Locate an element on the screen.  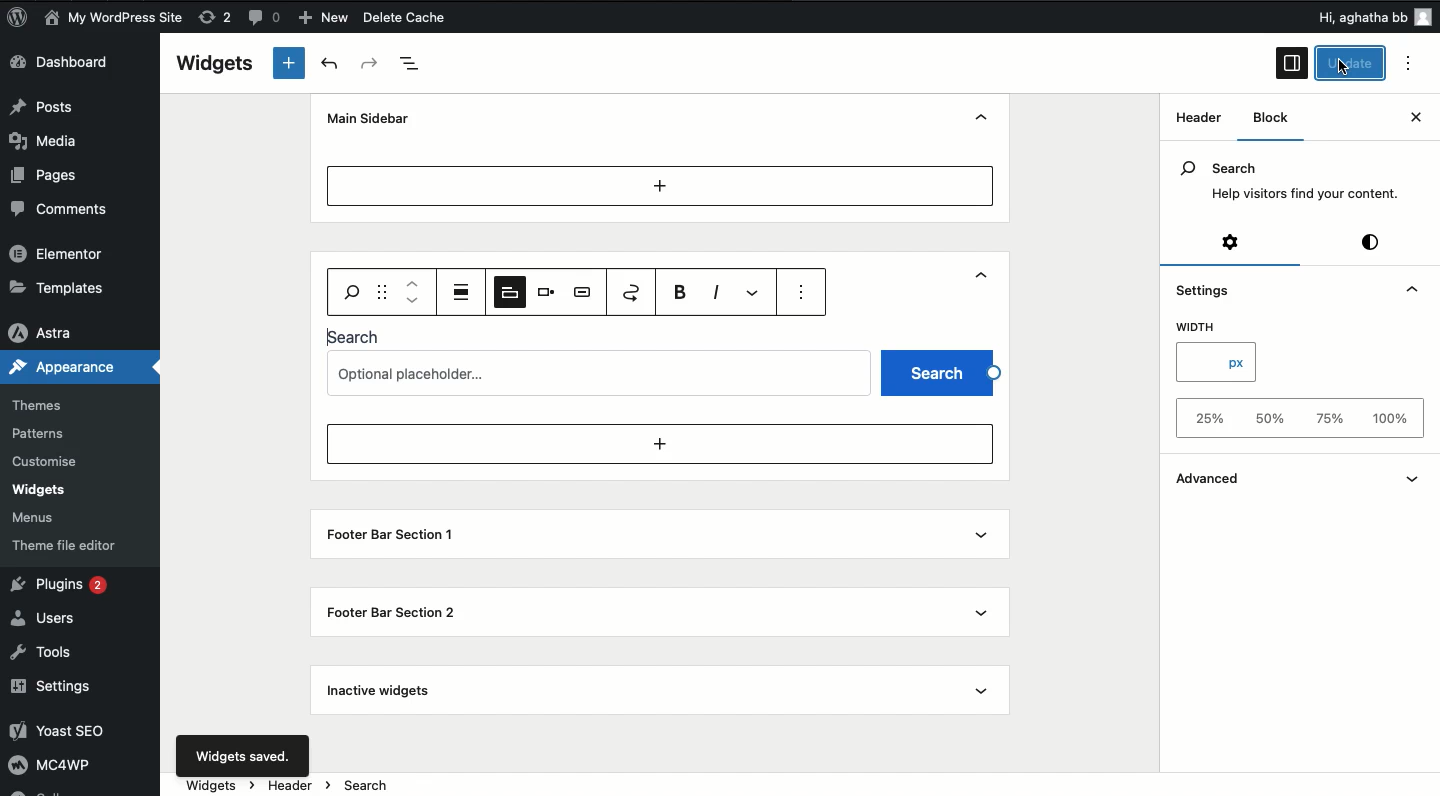
My WordPress Site is located at coordinates (113, 18).